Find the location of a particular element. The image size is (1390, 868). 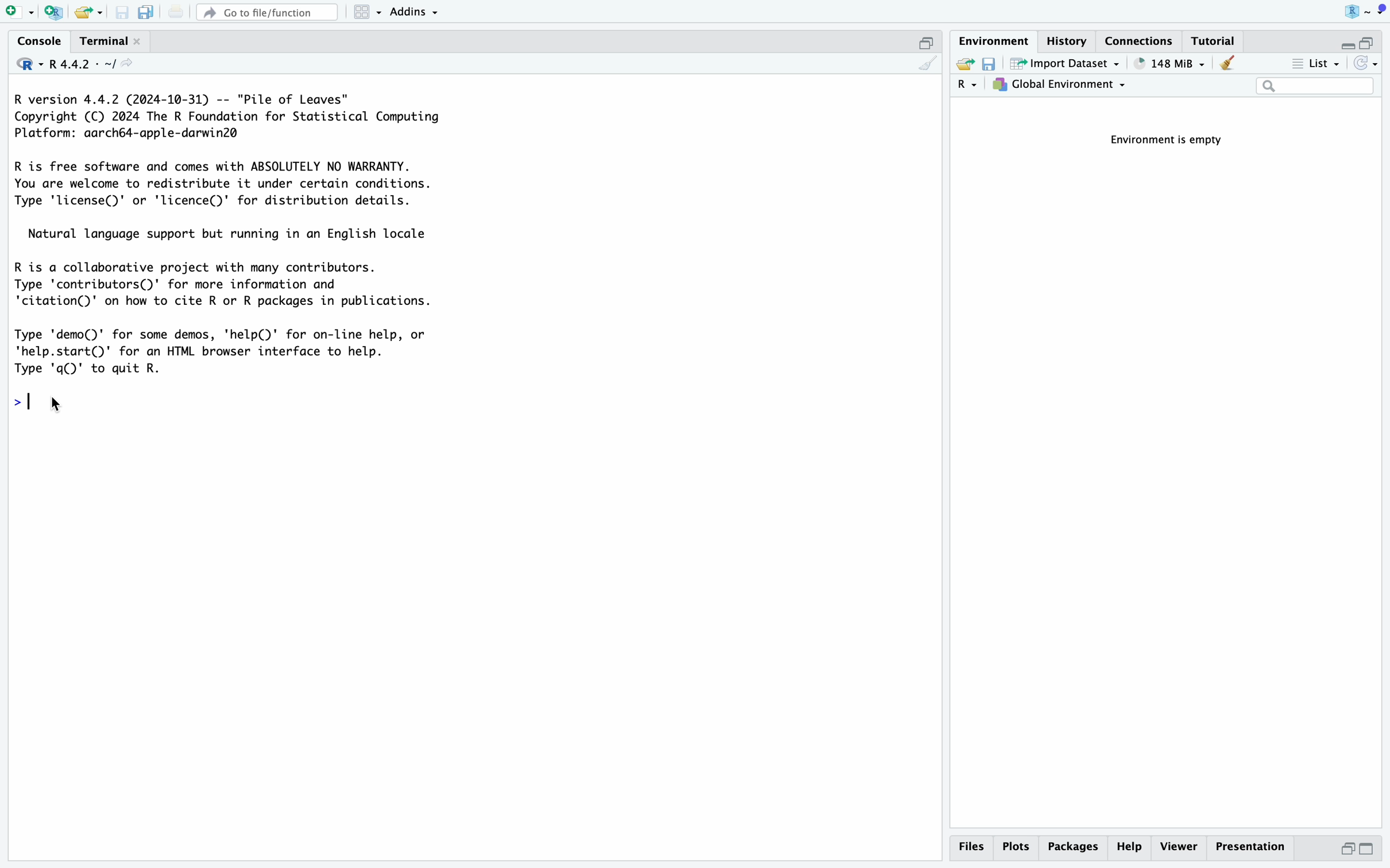

demo and help of R is located at coordinates (231, 351).